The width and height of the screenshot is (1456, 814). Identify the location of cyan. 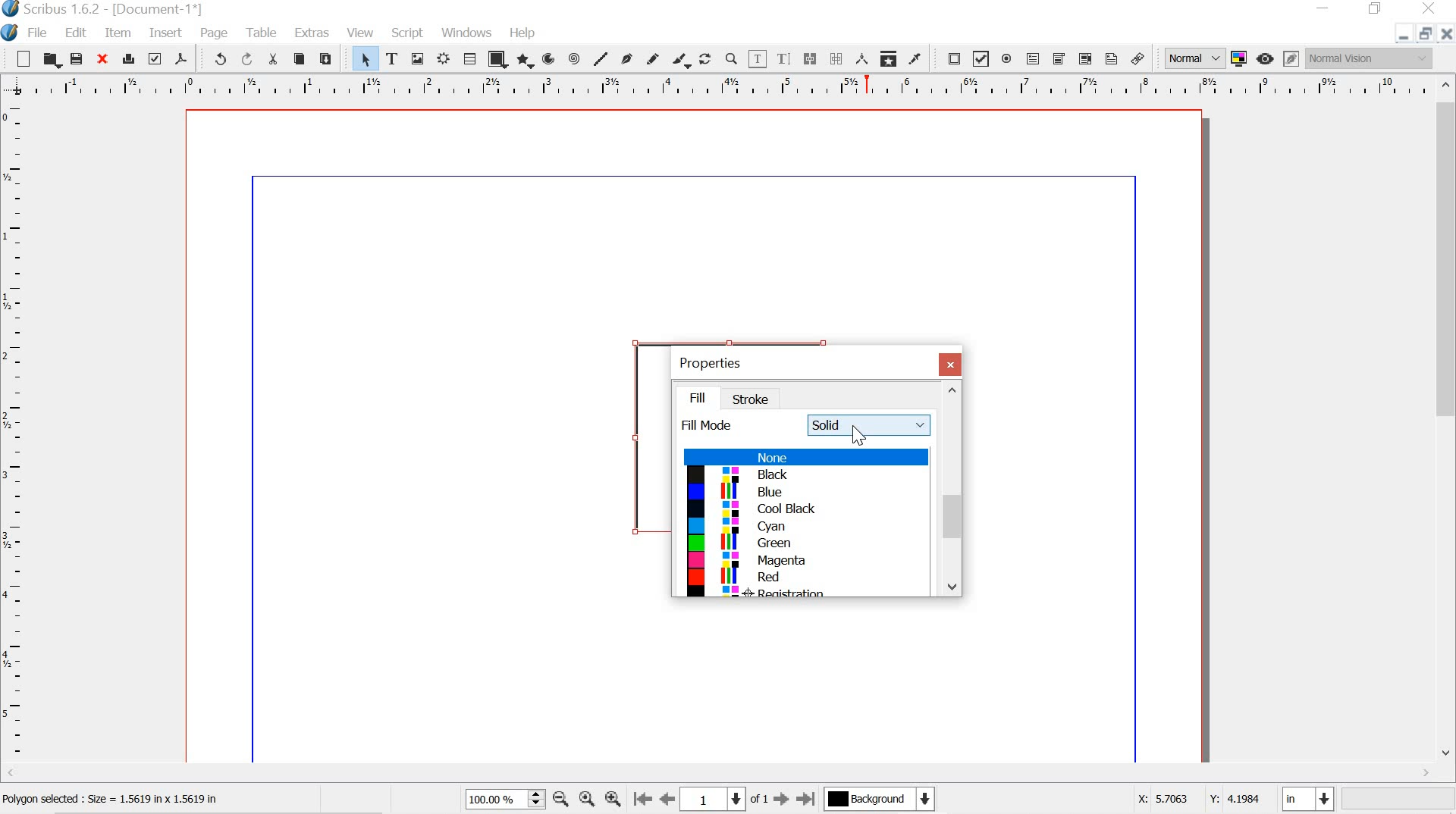
(805, 527).